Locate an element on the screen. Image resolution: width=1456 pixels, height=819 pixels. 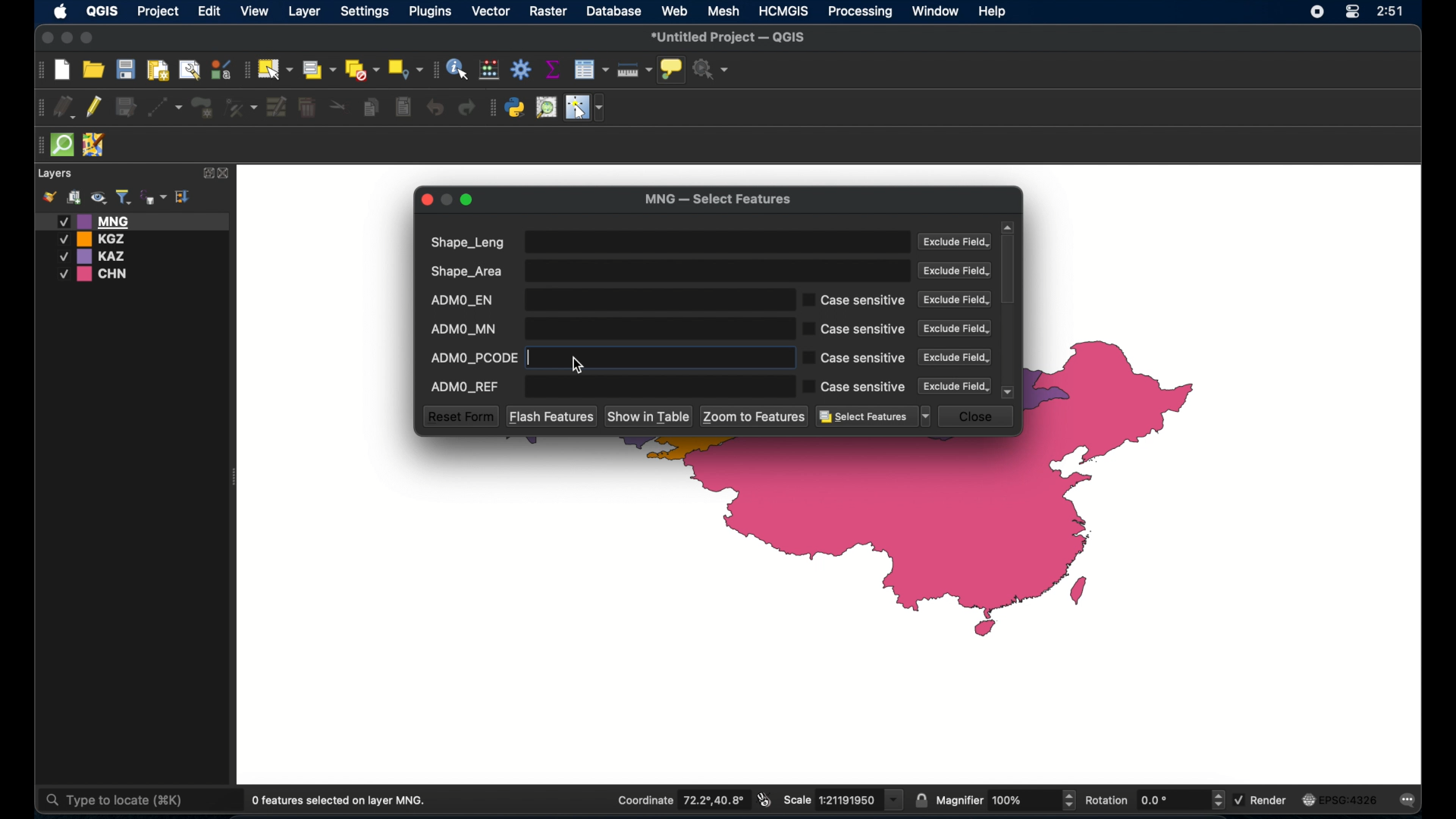
drag handle is located at coordinates (38, 145).